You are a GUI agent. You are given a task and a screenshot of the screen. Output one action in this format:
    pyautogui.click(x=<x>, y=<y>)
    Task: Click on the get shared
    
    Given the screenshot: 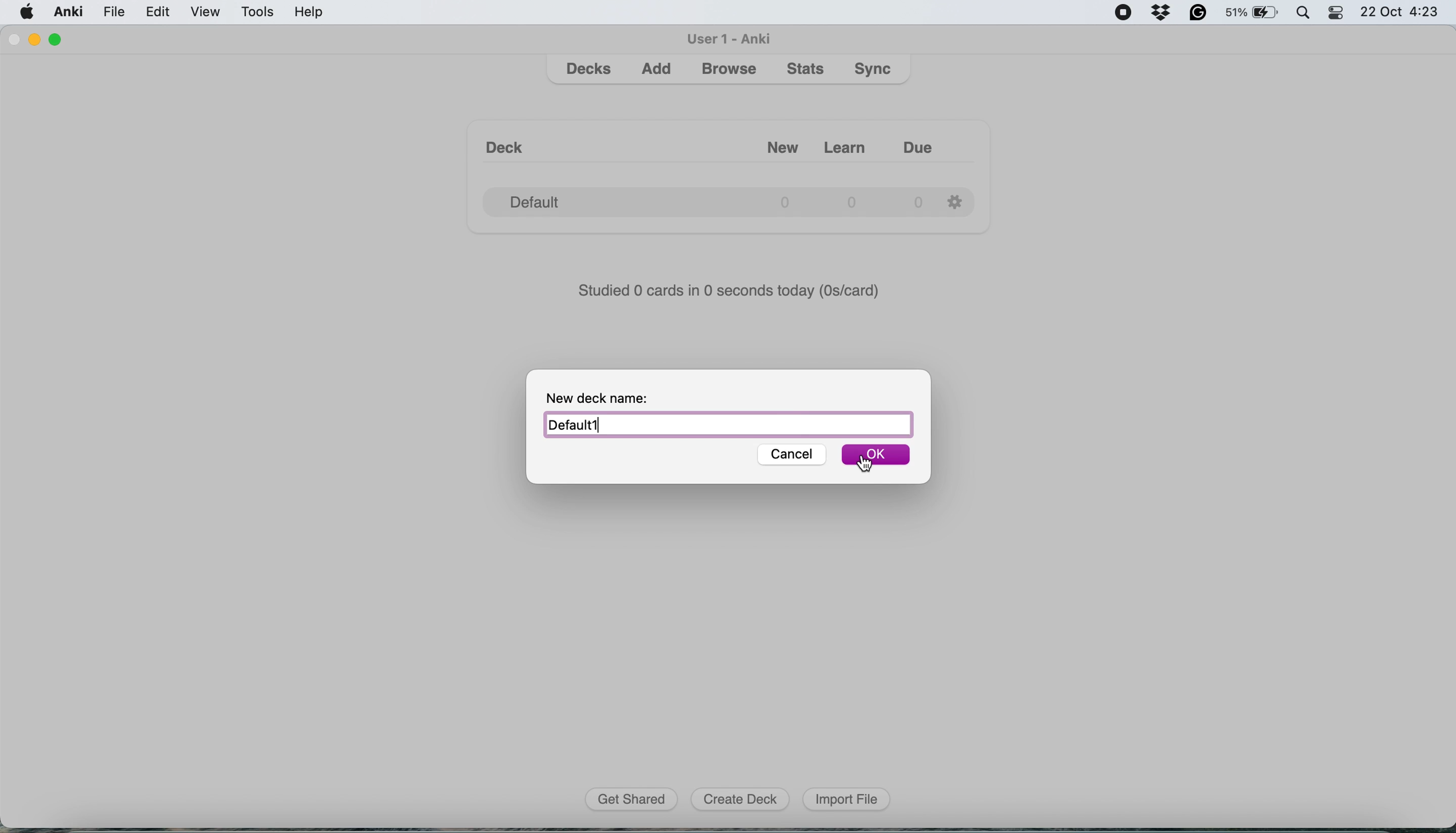 What is the action you would take?
    pyautogui.click(x=632, y=800)
    